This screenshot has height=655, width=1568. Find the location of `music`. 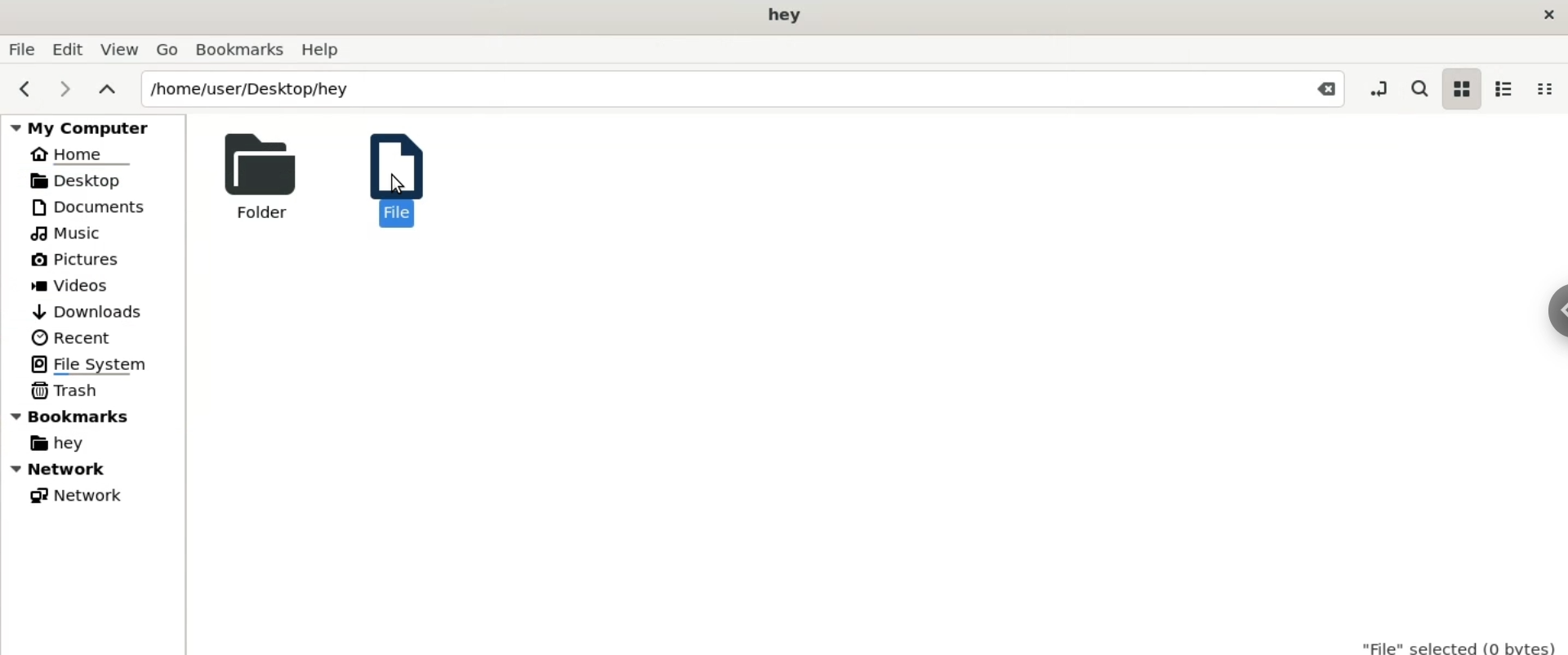

music is located at coordinates (69, 233).